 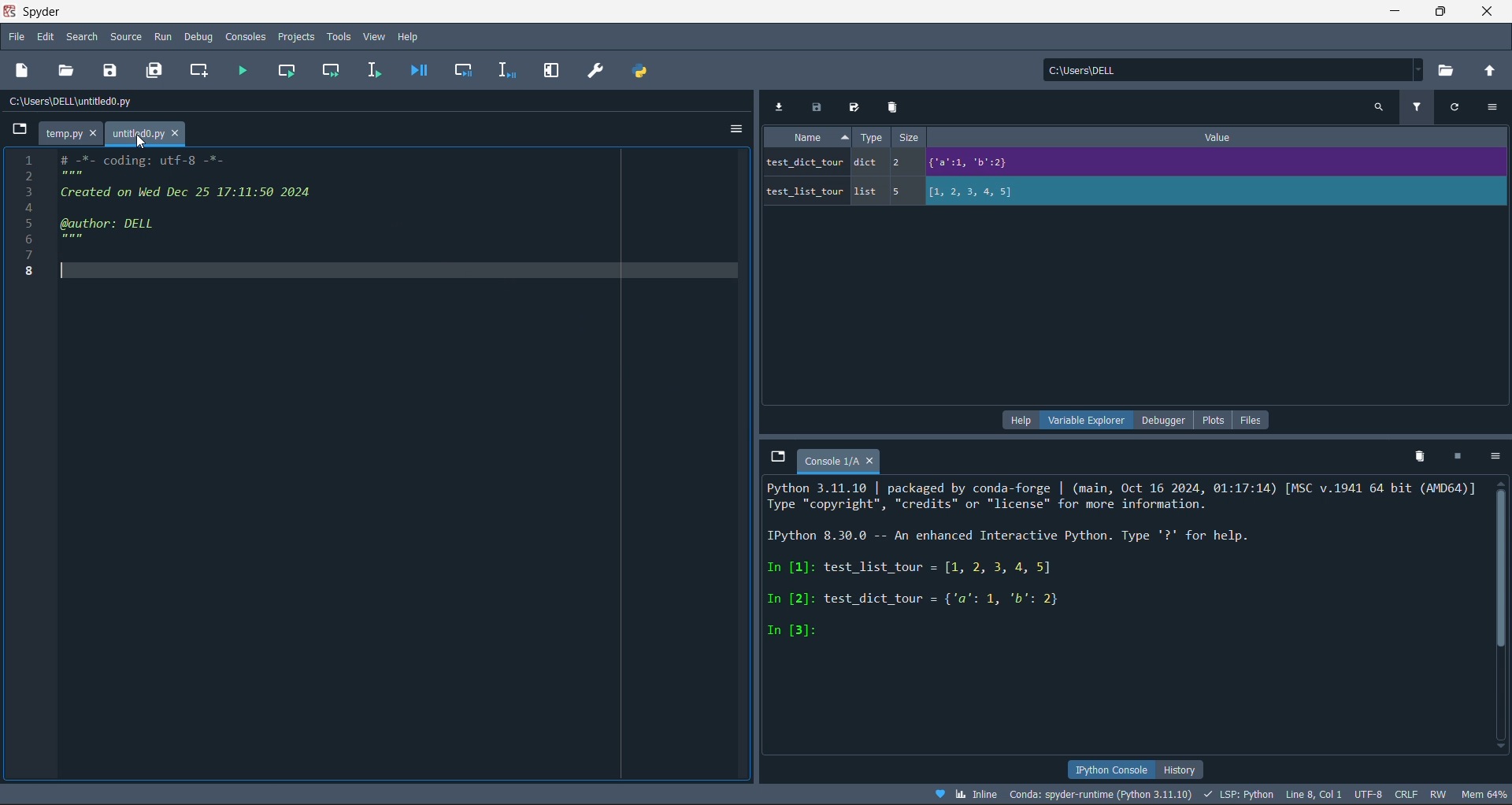 I want to click on preference, so click(x=603, y=69).